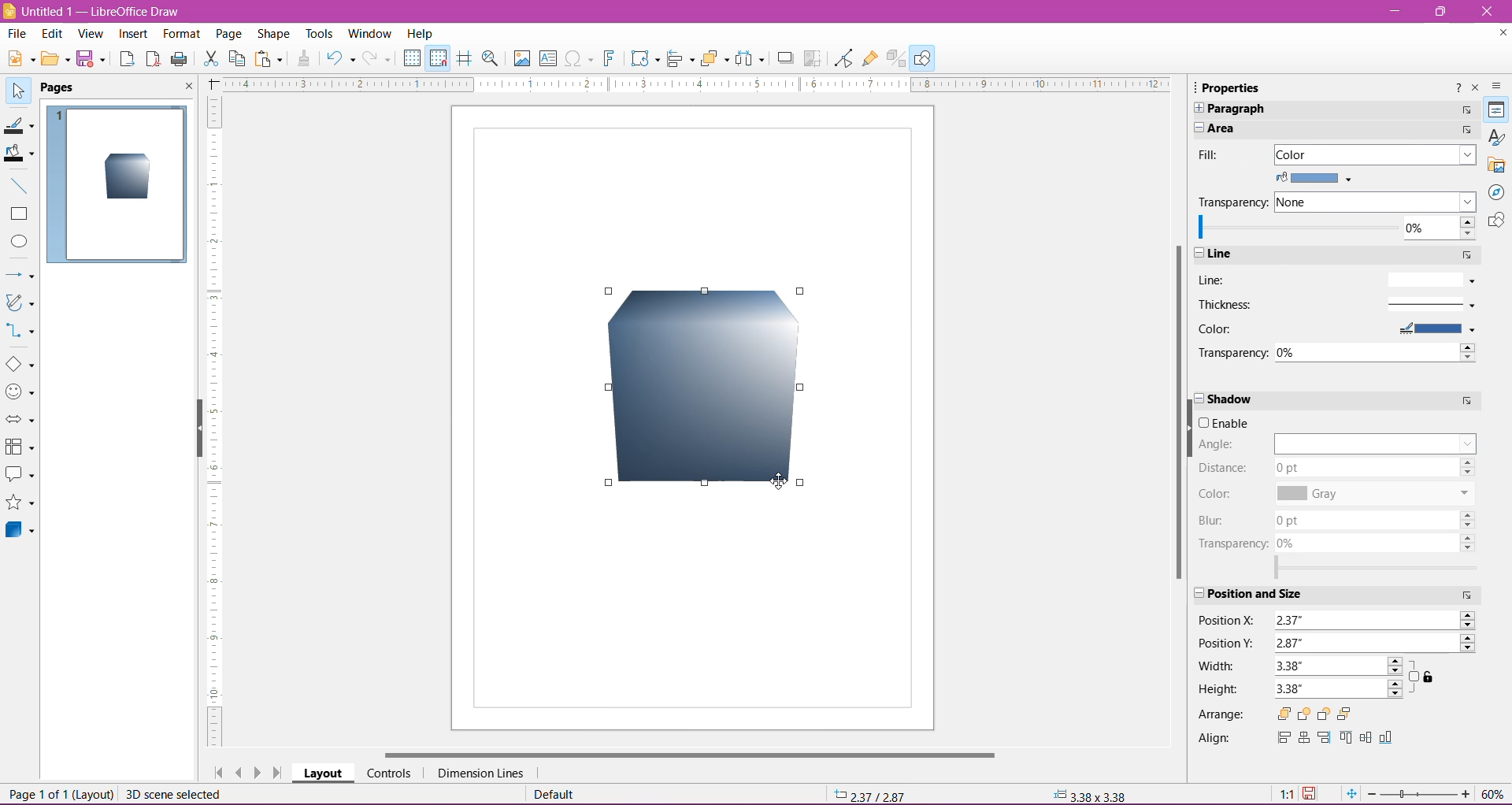 The height and width of the screenshot is (805, 1512). Describe the element at coordinates (1496, 165) in the screenshot. I see `Gallery` at that location.